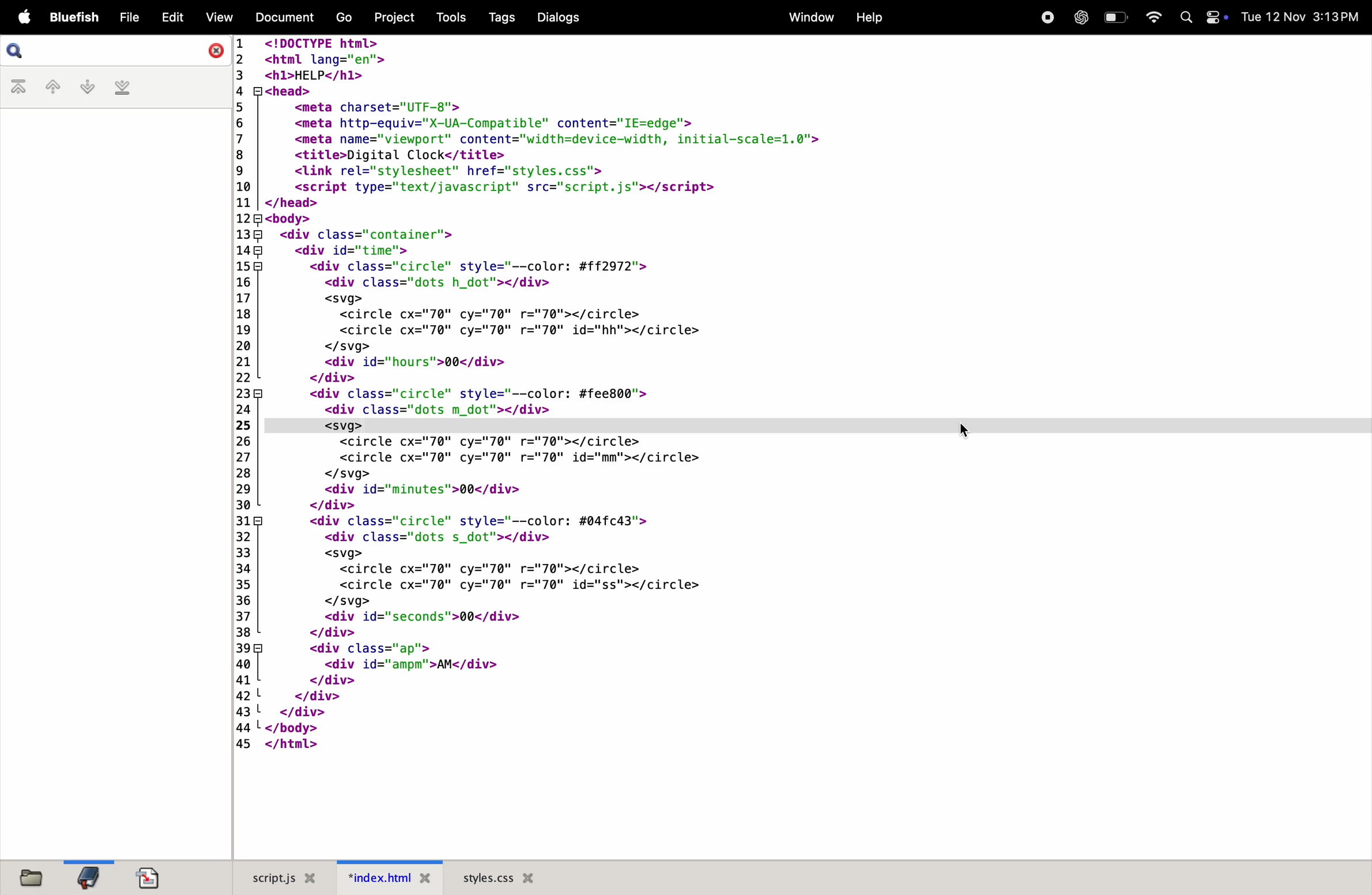  What do you see at coordinates (88, 877) in the screenshot?
I see `bookmark` at bounding box center [88, 877].